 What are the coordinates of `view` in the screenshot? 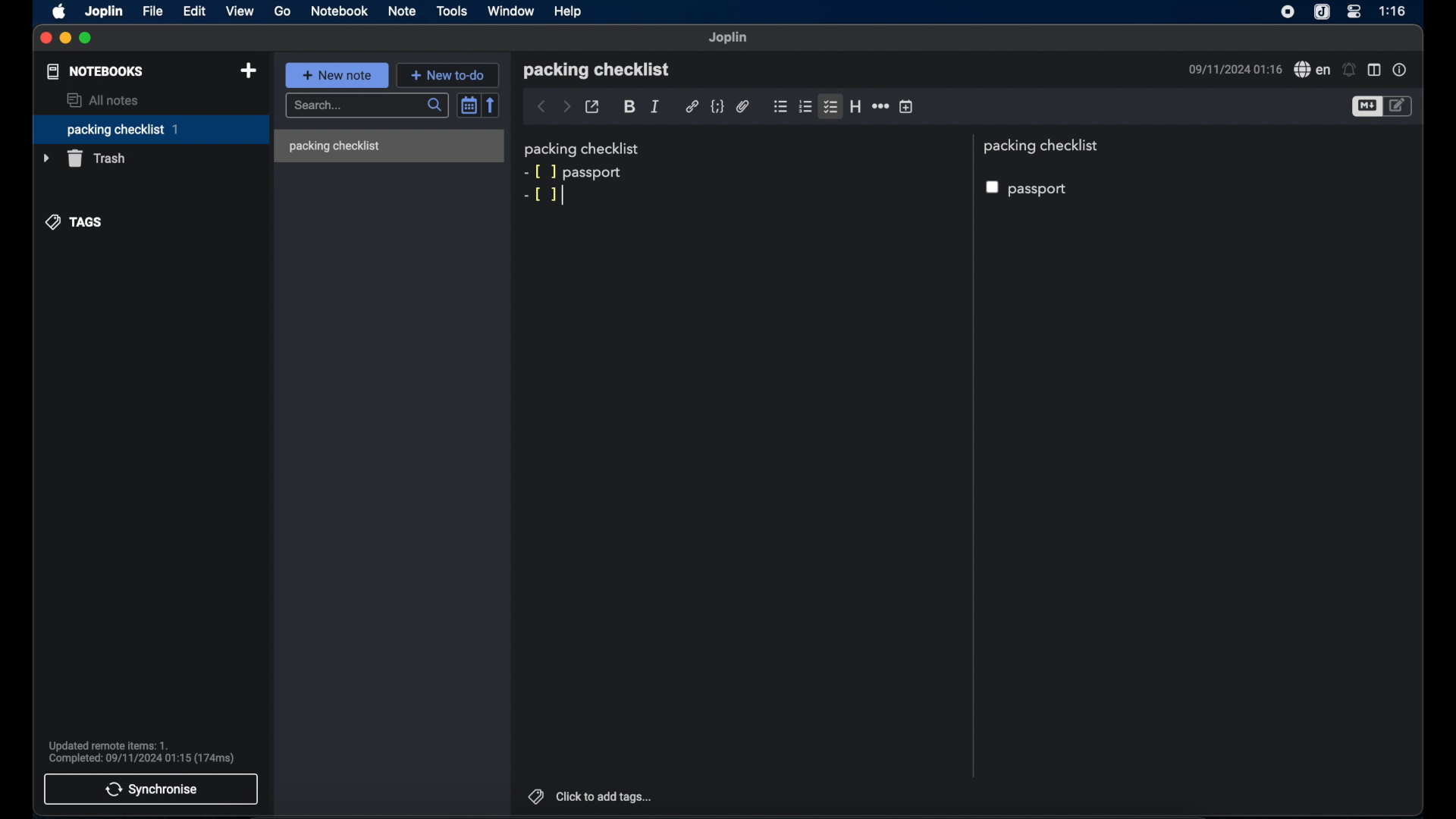 It's located at (240, 11).